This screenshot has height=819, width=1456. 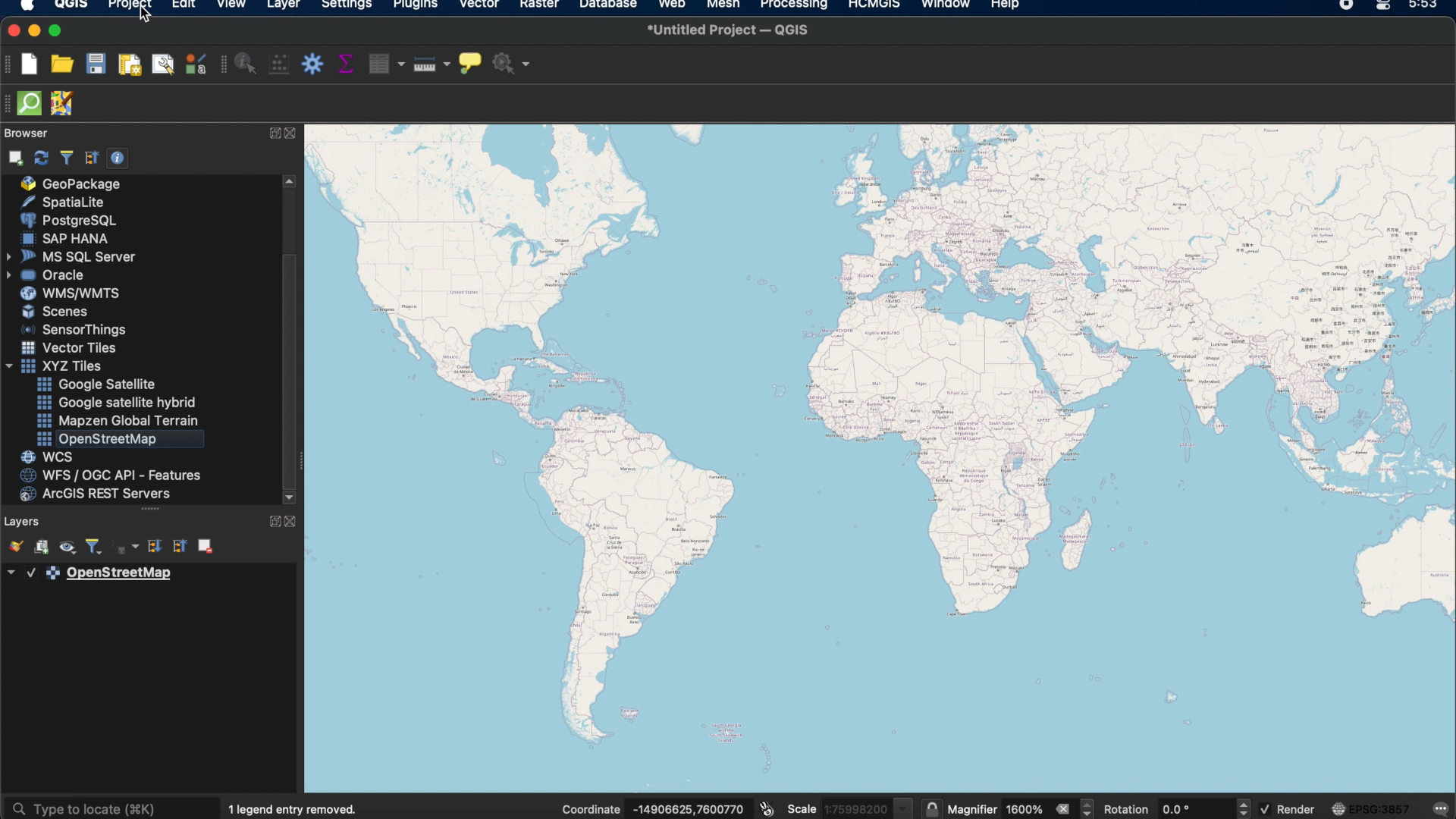 I want to click on open the layer, so click(x=16, y=544).